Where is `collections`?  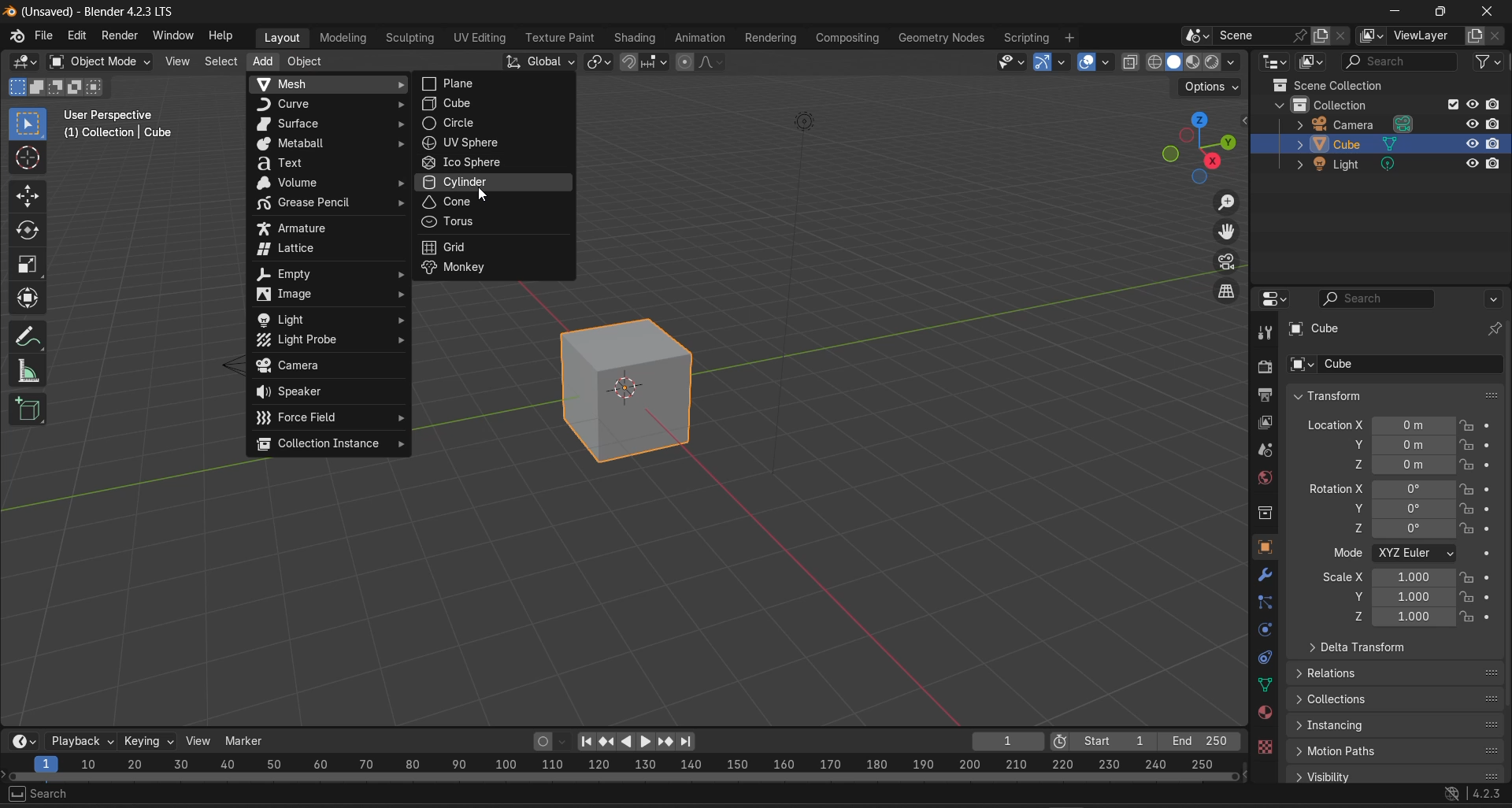 collections is located at coordinates (1397, 697).